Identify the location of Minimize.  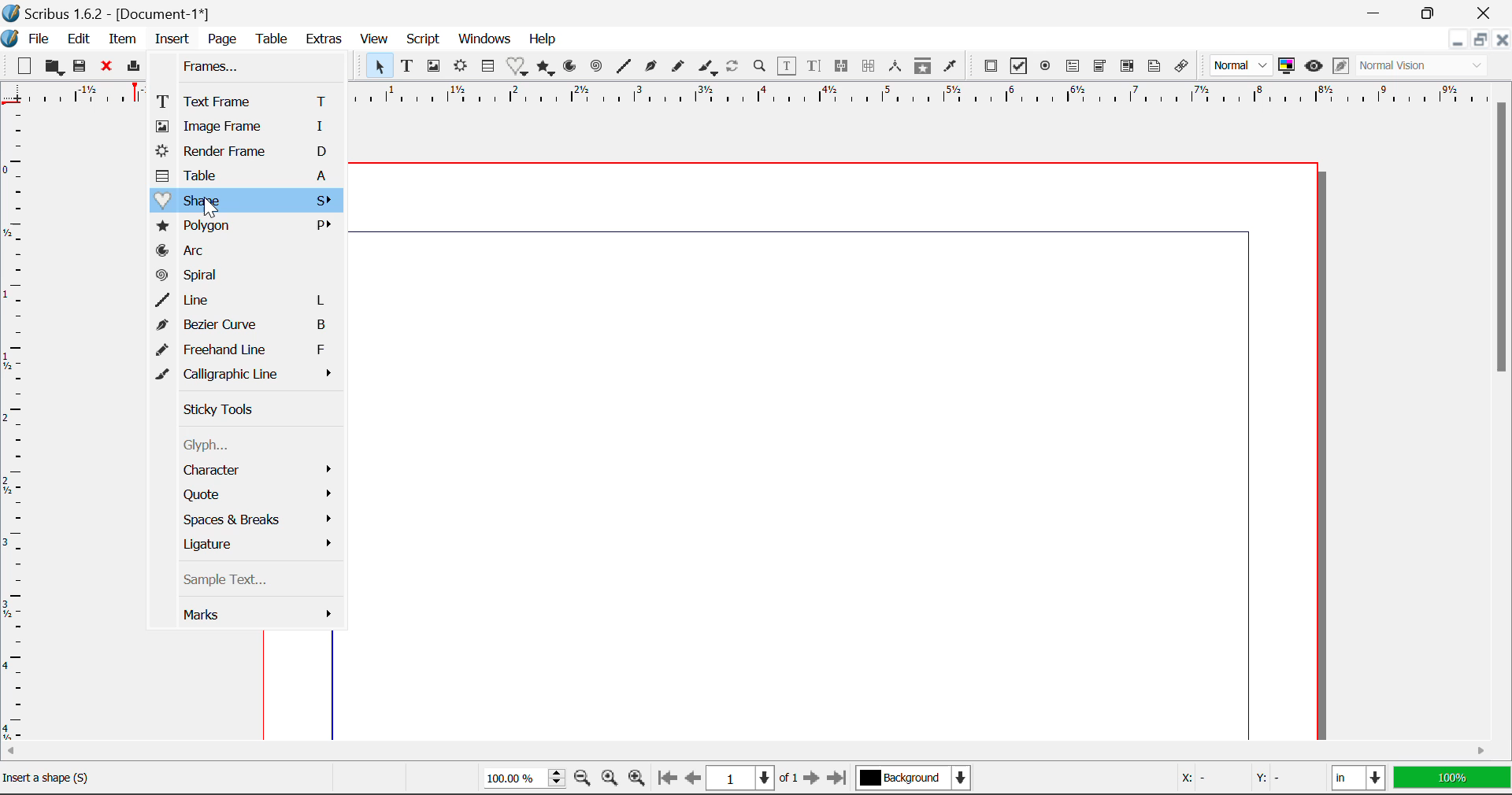
(1482, 42).